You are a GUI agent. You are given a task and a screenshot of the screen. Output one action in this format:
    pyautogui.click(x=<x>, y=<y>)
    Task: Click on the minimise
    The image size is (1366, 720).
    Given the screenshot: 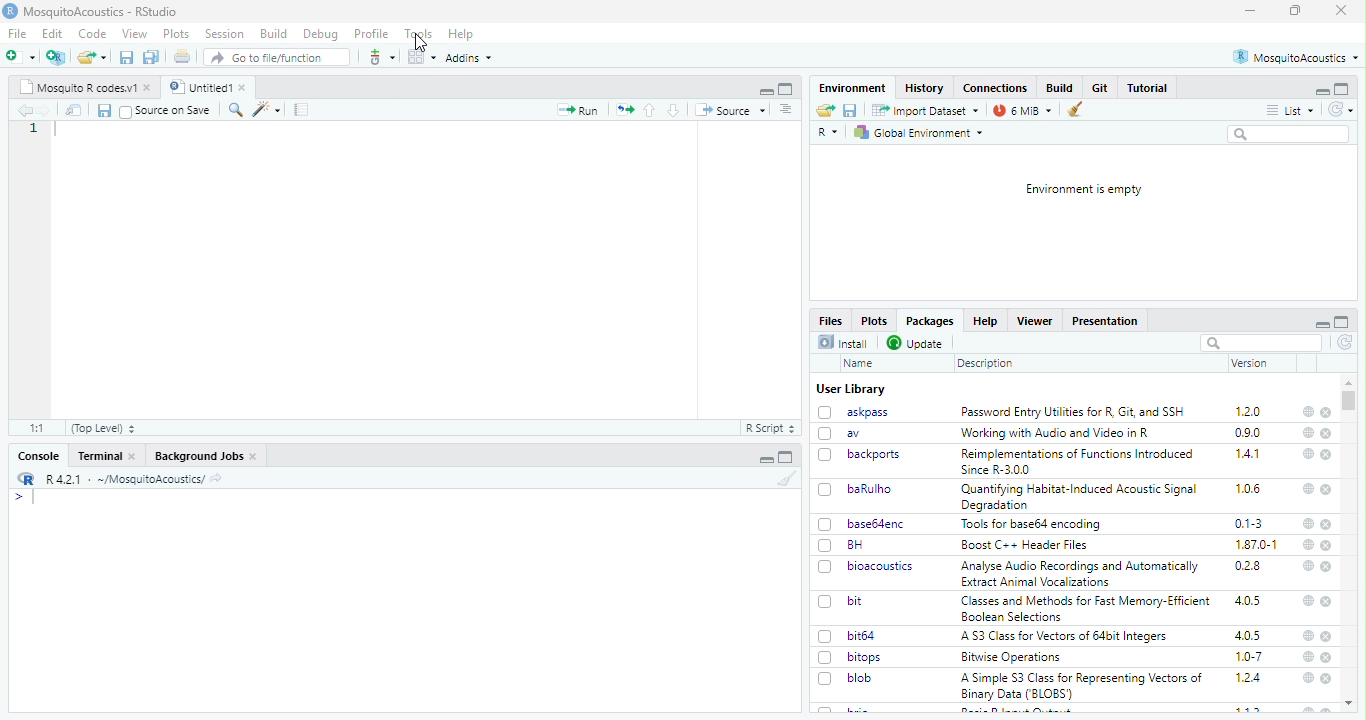 What is the action you would take?
    pyautogui.click(x=1324, y=325)
    